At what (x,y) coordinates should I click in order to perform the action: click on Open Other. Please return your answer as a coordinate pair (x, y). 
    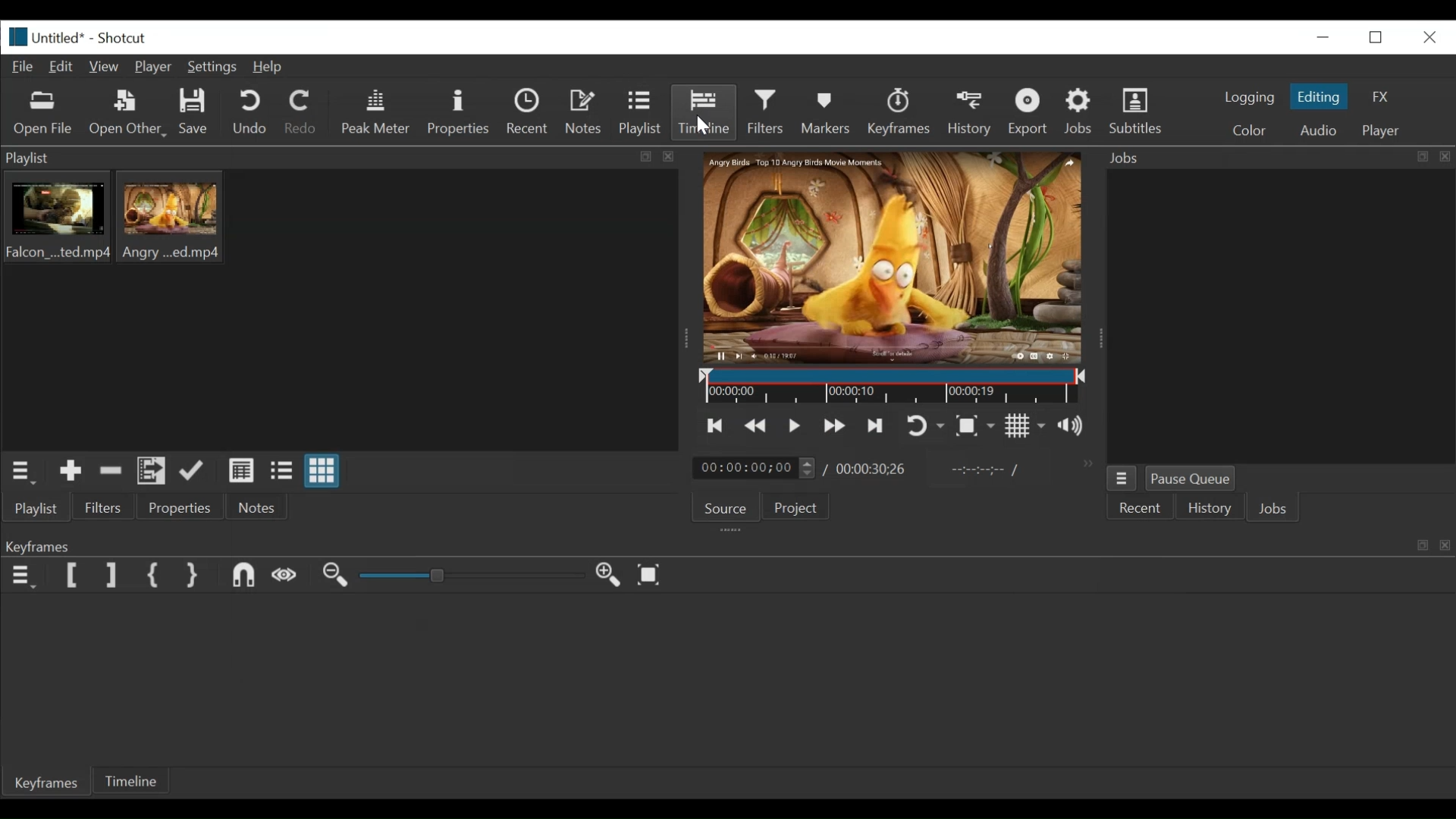
    Looking at the image, I should click on (129, 114).